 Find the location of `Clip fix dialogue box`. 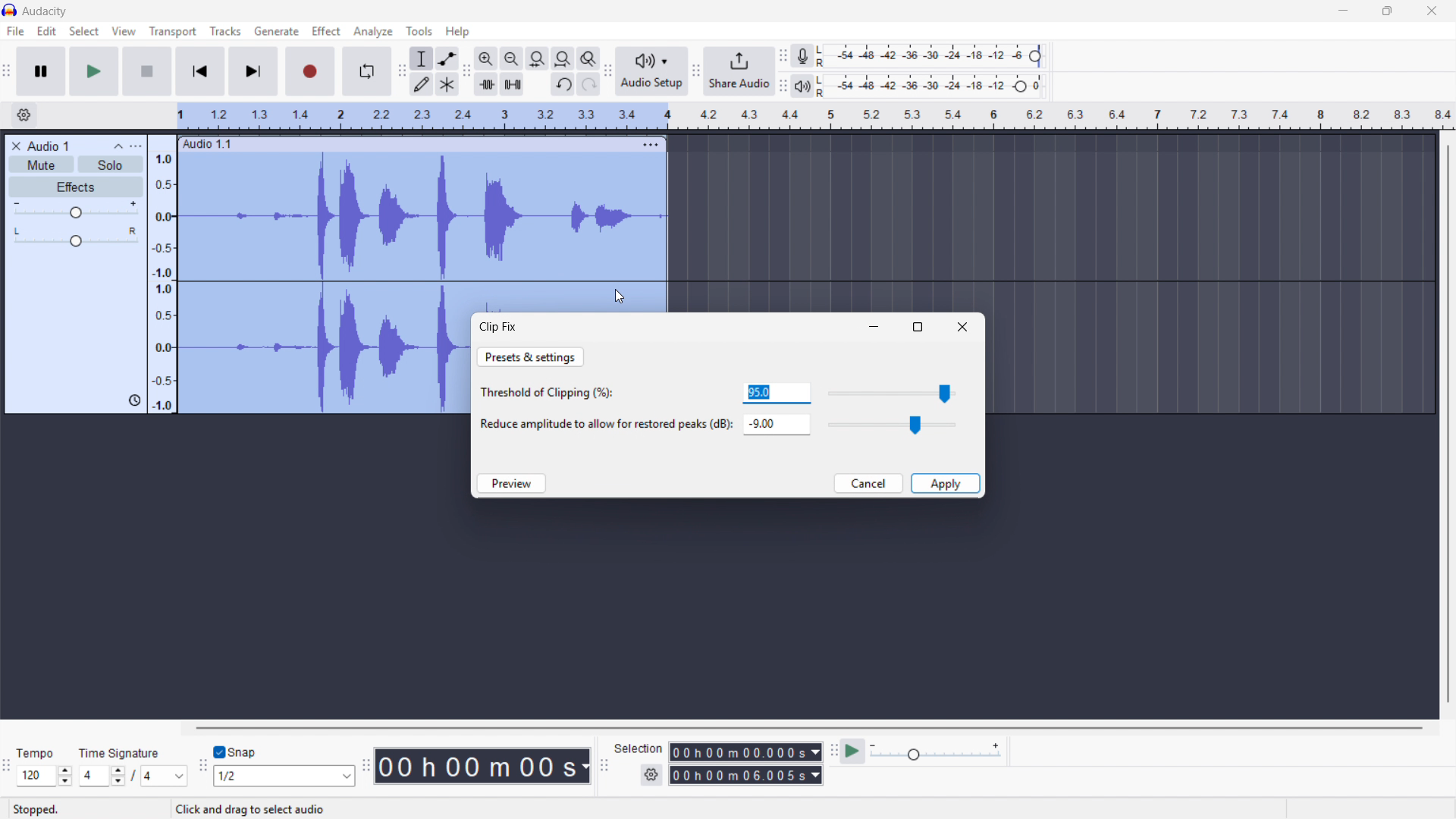

Clip fix dialogue box is located at coordinates (499, 327).